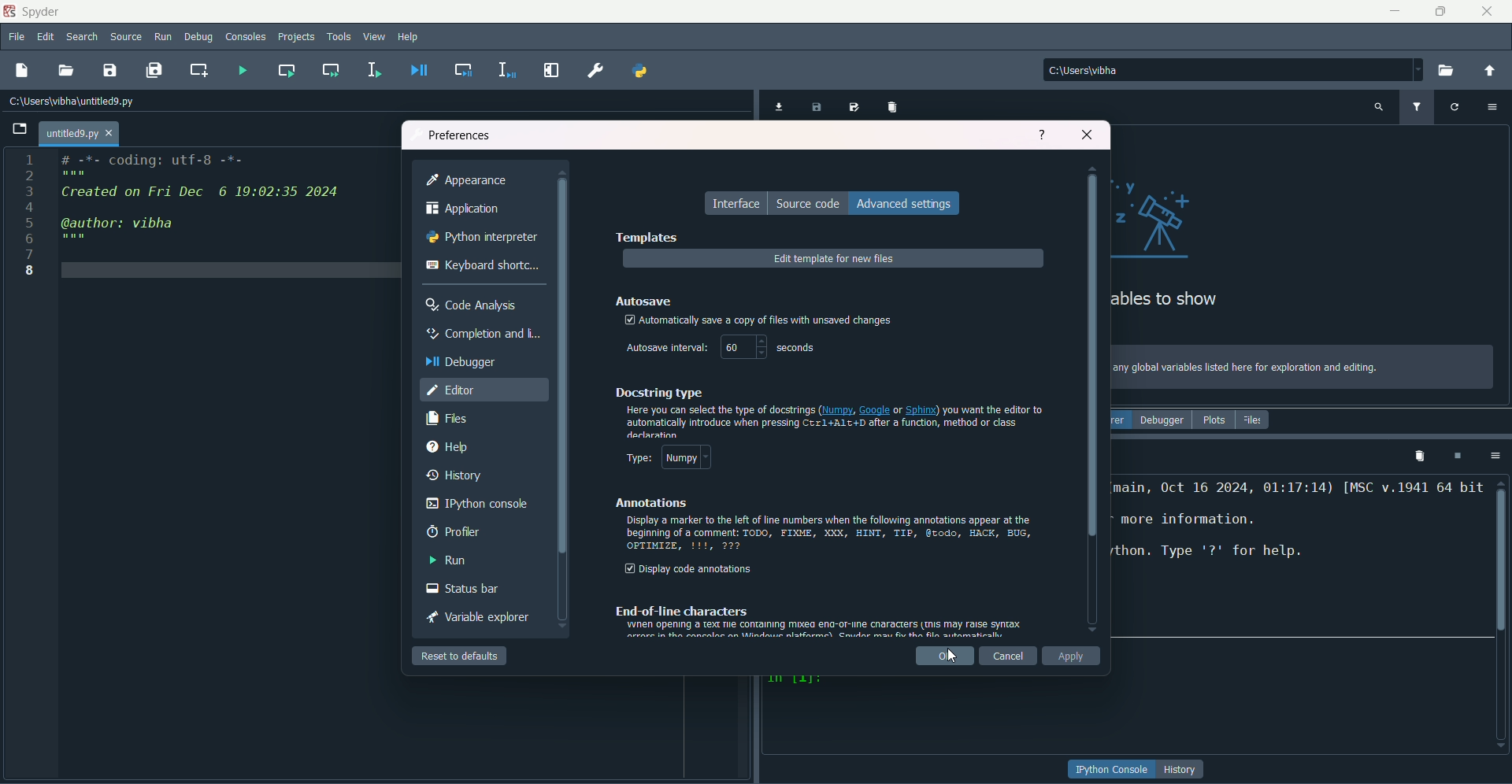  Describe the element at coordinates (1379, 106) in the screenshot. I see `search variable` at that location.